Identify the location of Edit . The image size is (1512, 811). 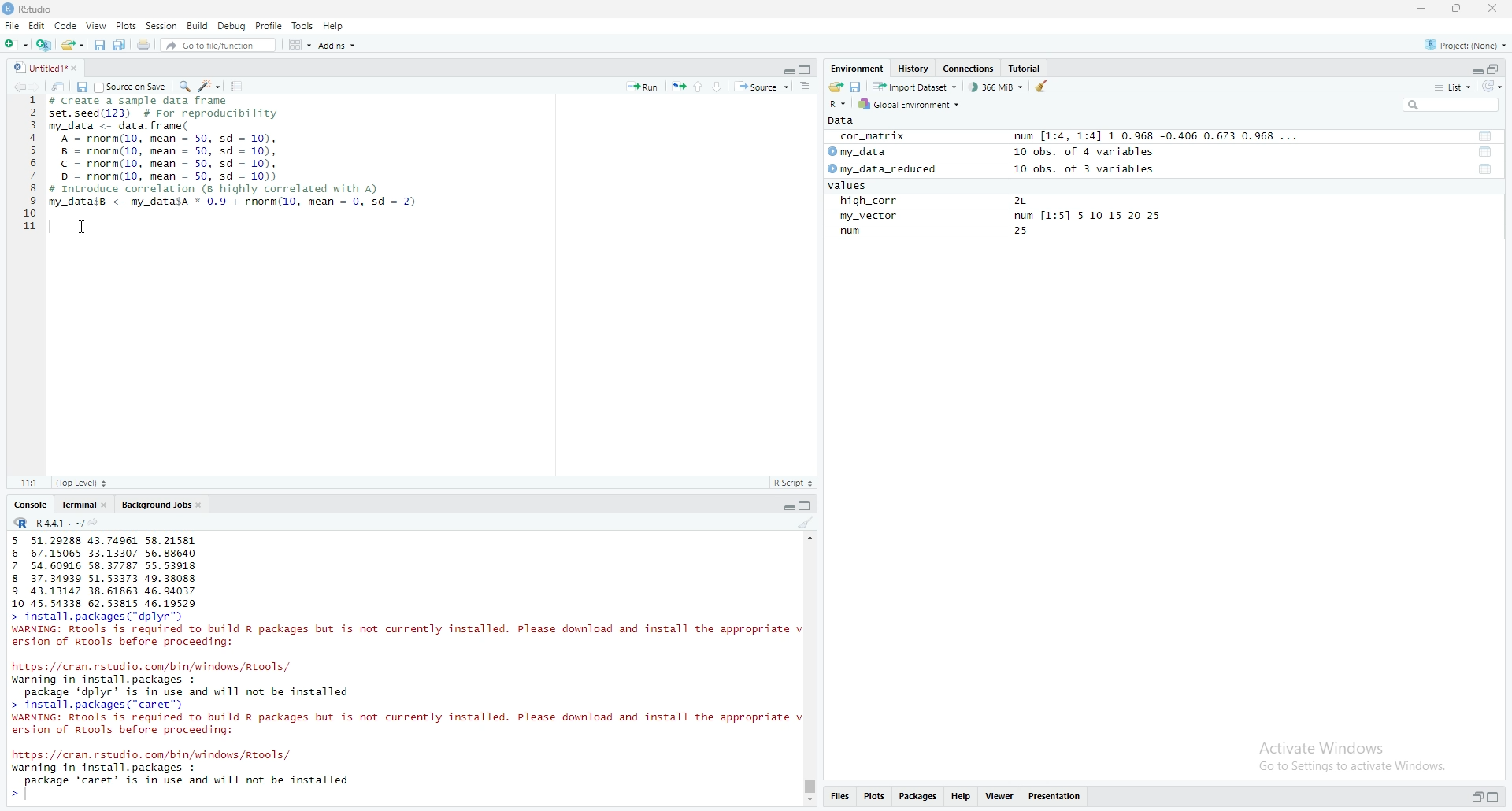
(37, 25).